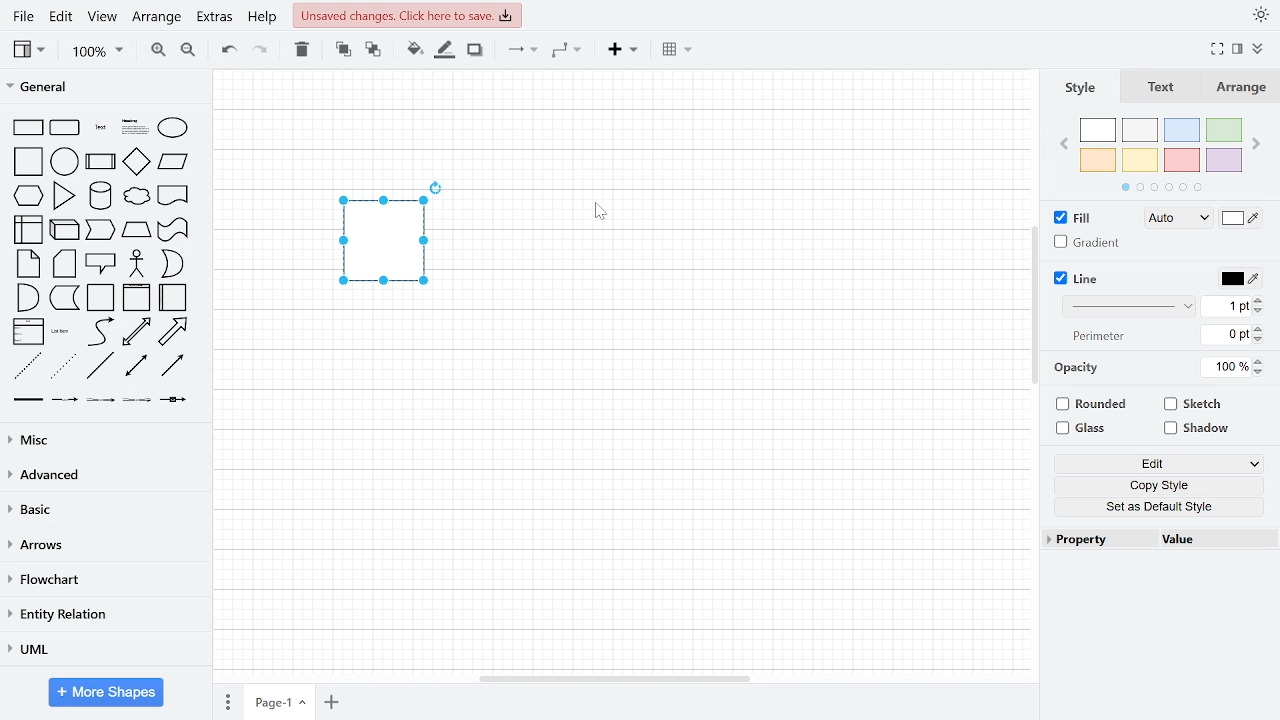 The width and height of the screenshot is (1280, 720). Describe the element at coordinates (1087, 404) in the screenshot. I see `rounded` at that location.